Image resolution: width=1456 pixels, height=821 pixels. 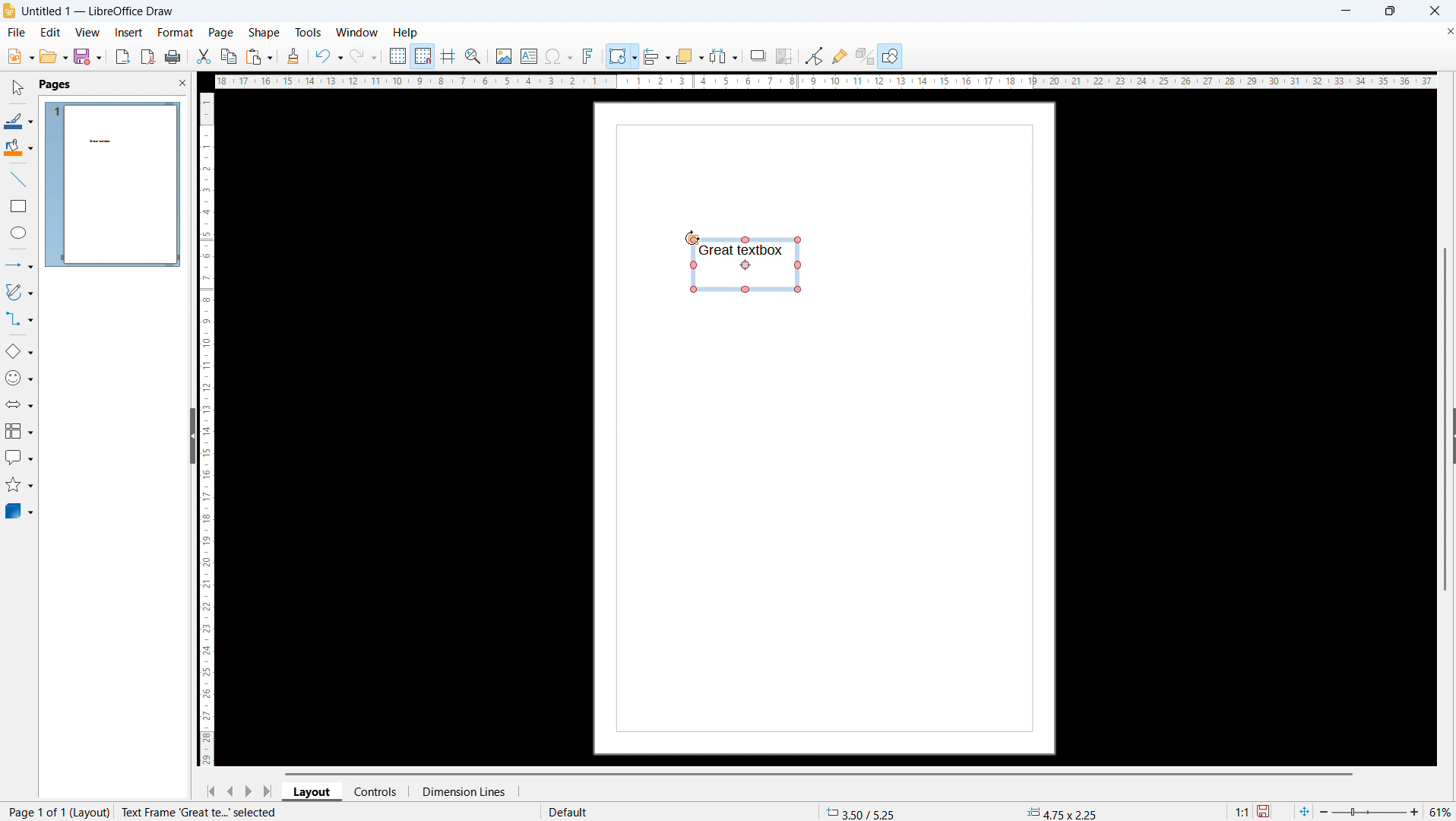 What do you see at coordinates (87, 56) in the screenshot?
I see `save` at bounding box center [87, 56].